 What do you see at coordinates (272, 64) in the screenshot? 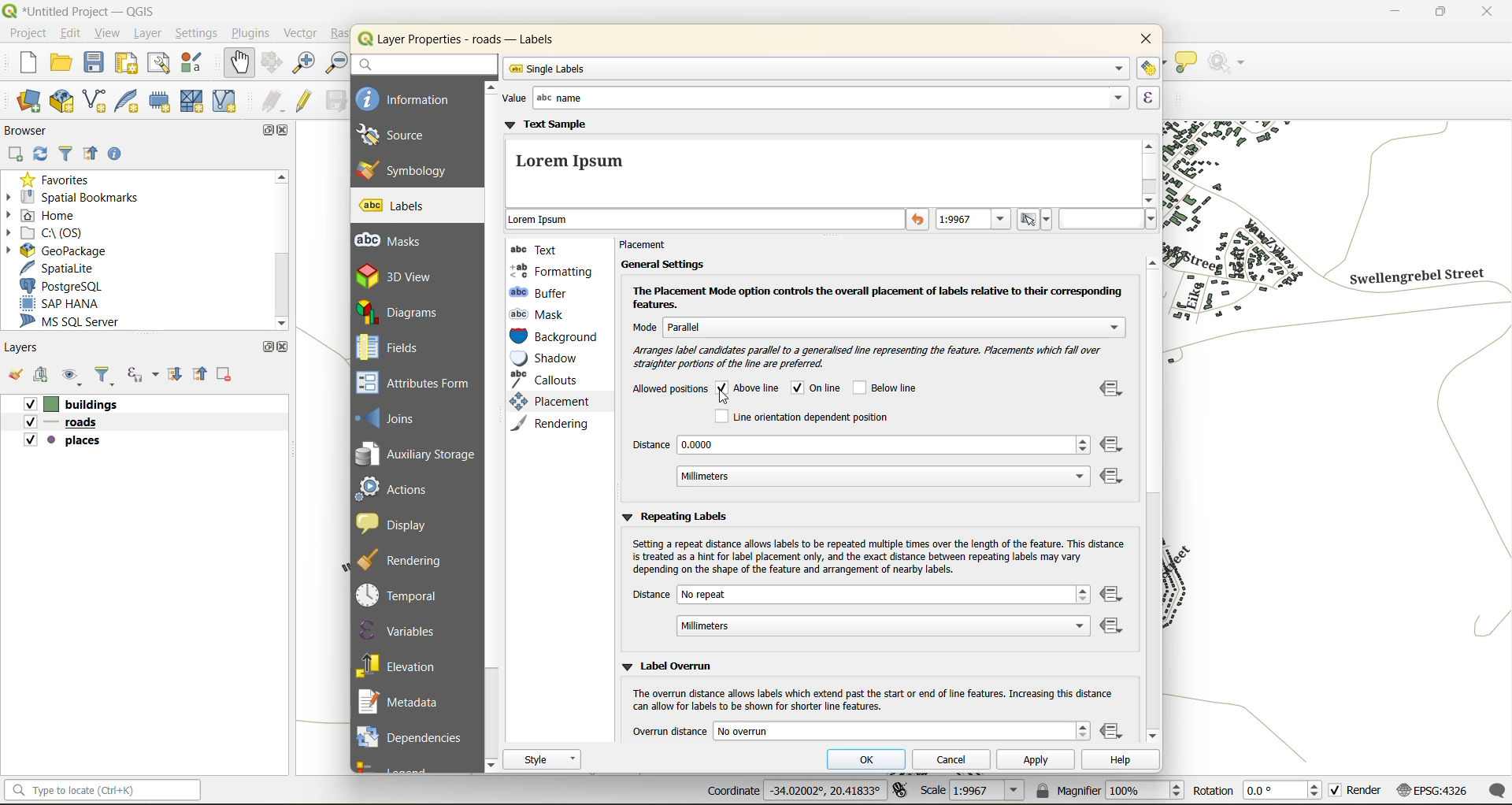
I see `pan to selection` at bounding box center [272, 64].